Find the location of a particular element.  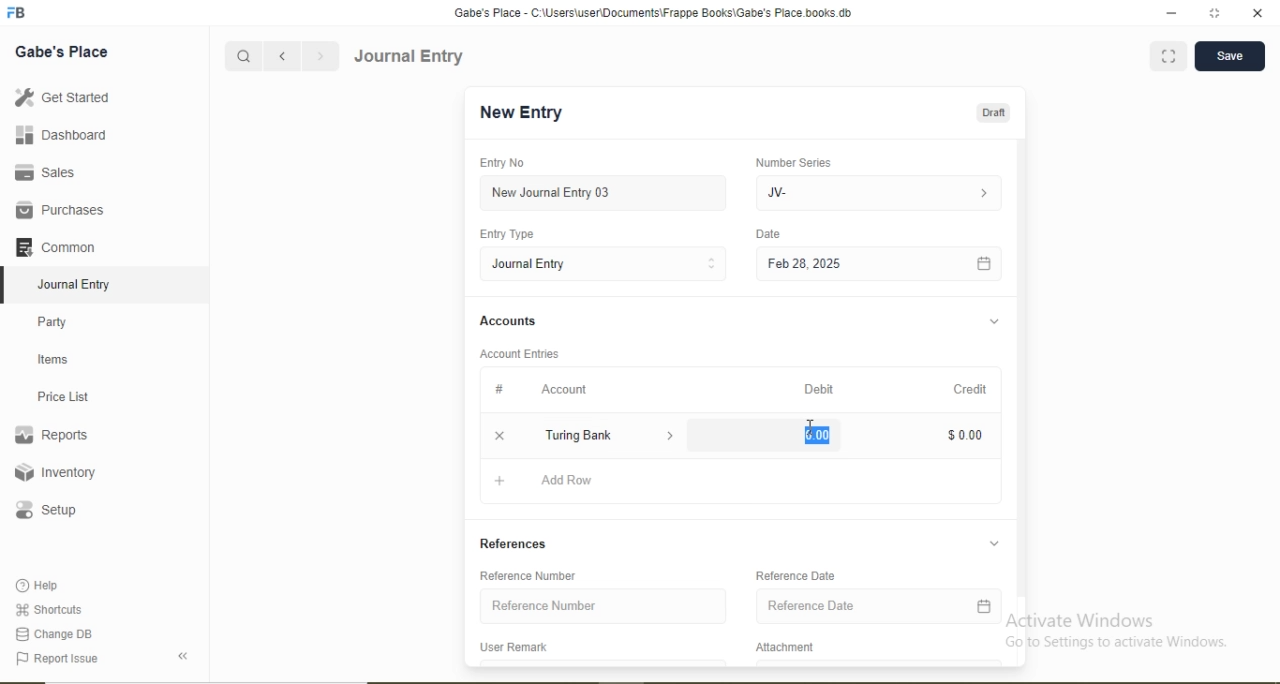

Backward is located at coordinates (282, 57).